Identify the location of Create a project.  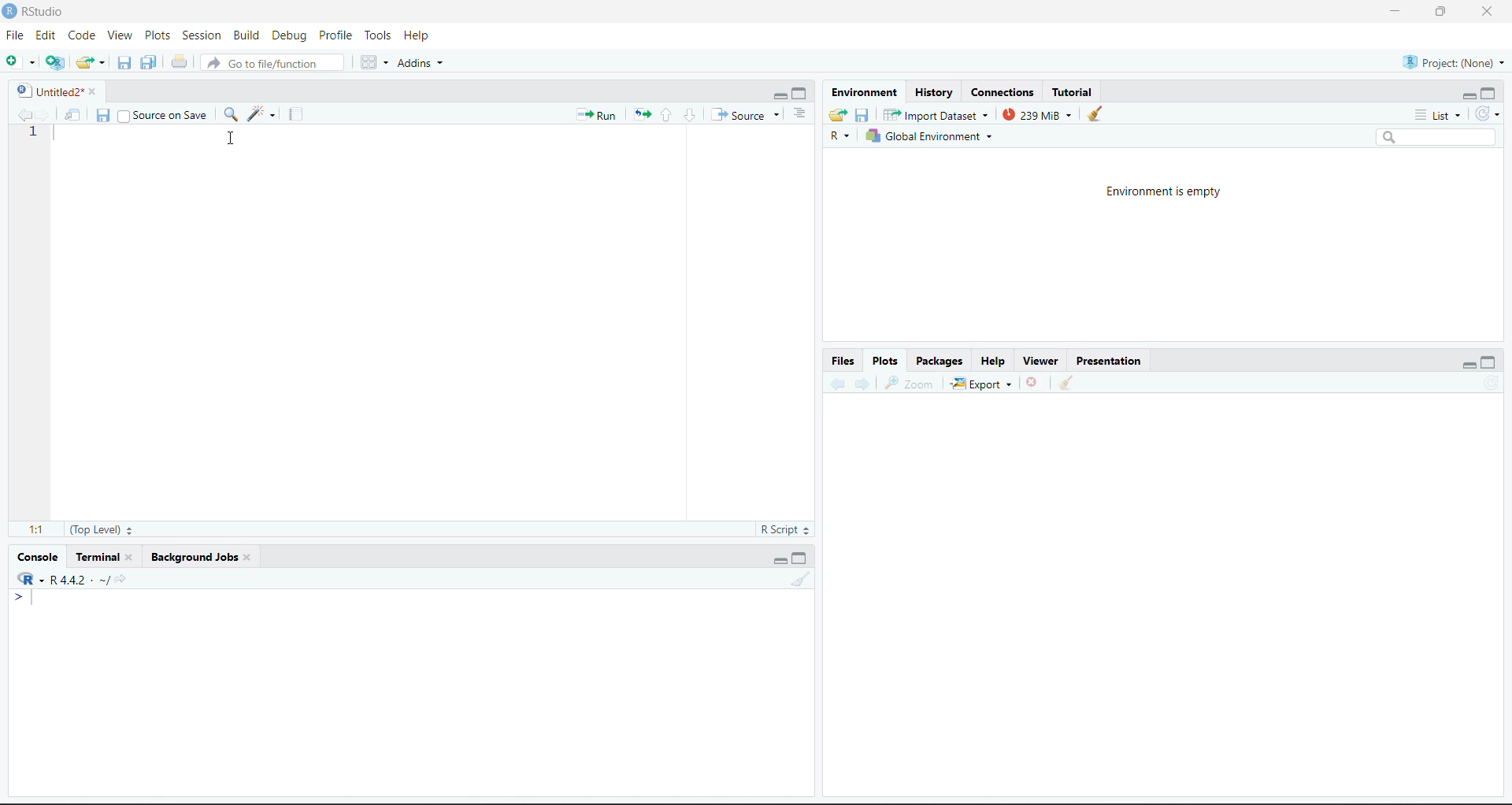
(56, 61).